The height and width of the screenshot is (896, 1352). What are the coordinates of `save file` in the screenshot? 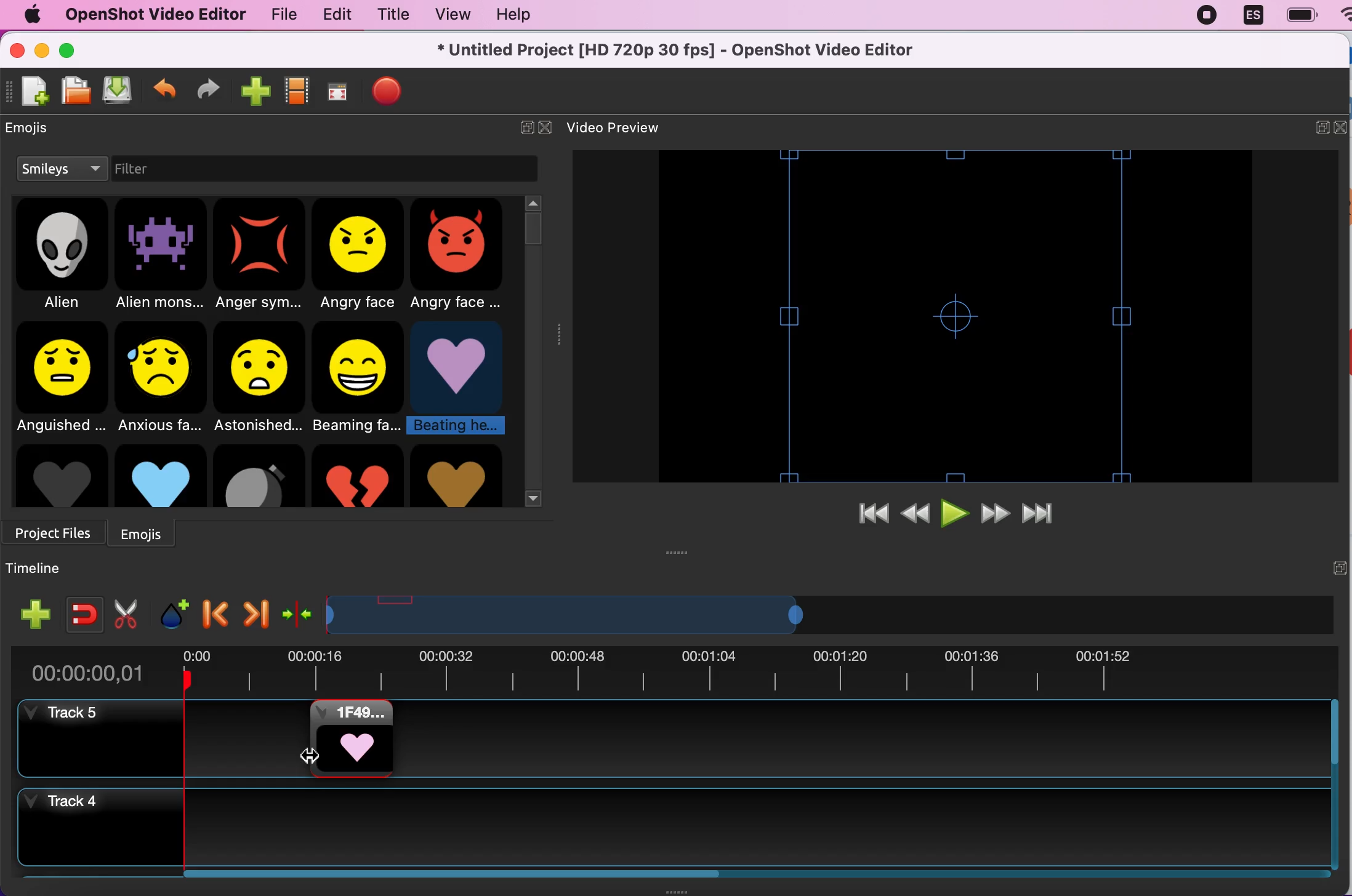 It's located at (118, 91).